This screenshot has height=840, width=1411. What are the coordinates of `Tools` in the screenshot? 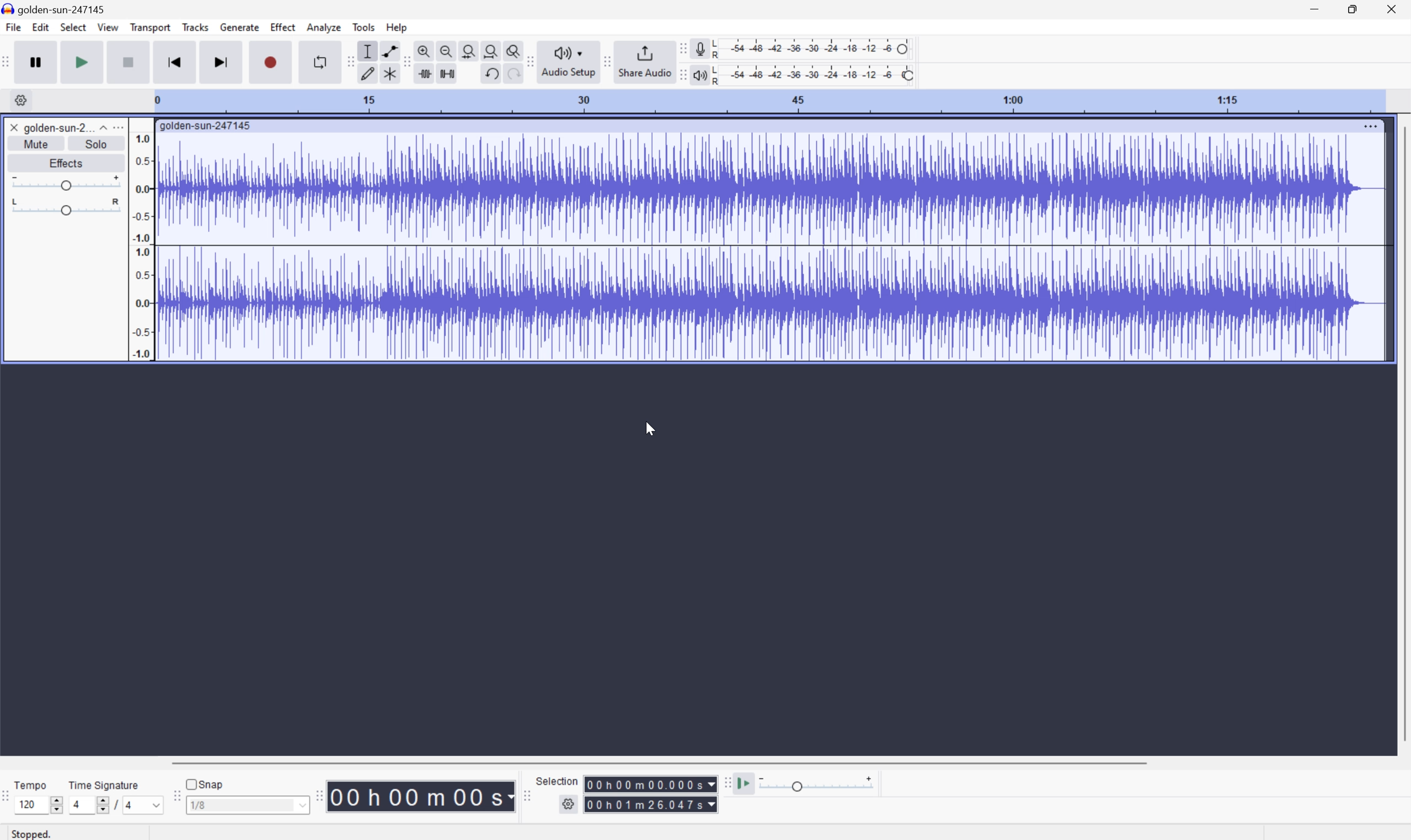 It's located at (363, 27).